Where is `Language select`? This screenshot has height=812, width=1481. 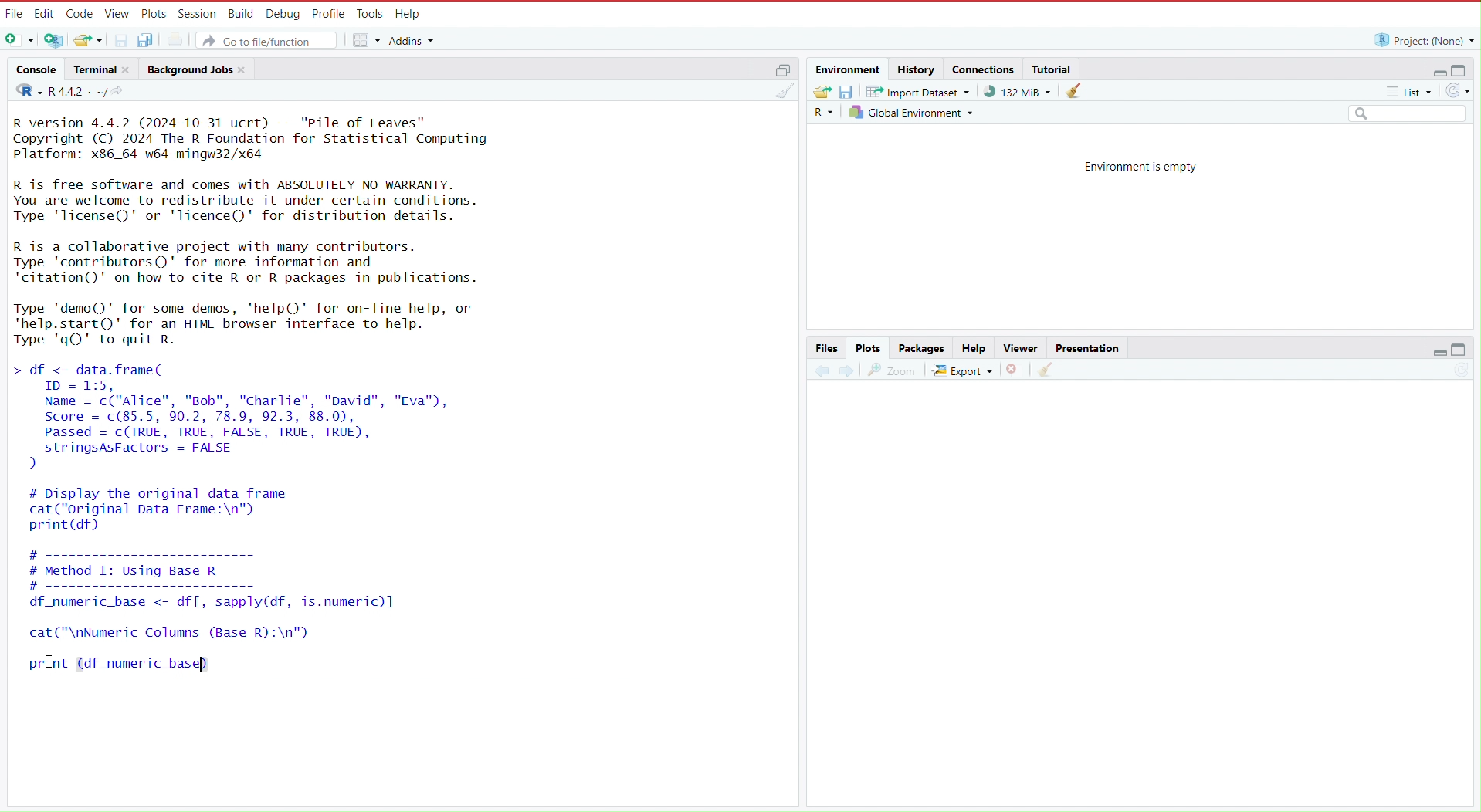
Language select is located at coordinates (822, 112).